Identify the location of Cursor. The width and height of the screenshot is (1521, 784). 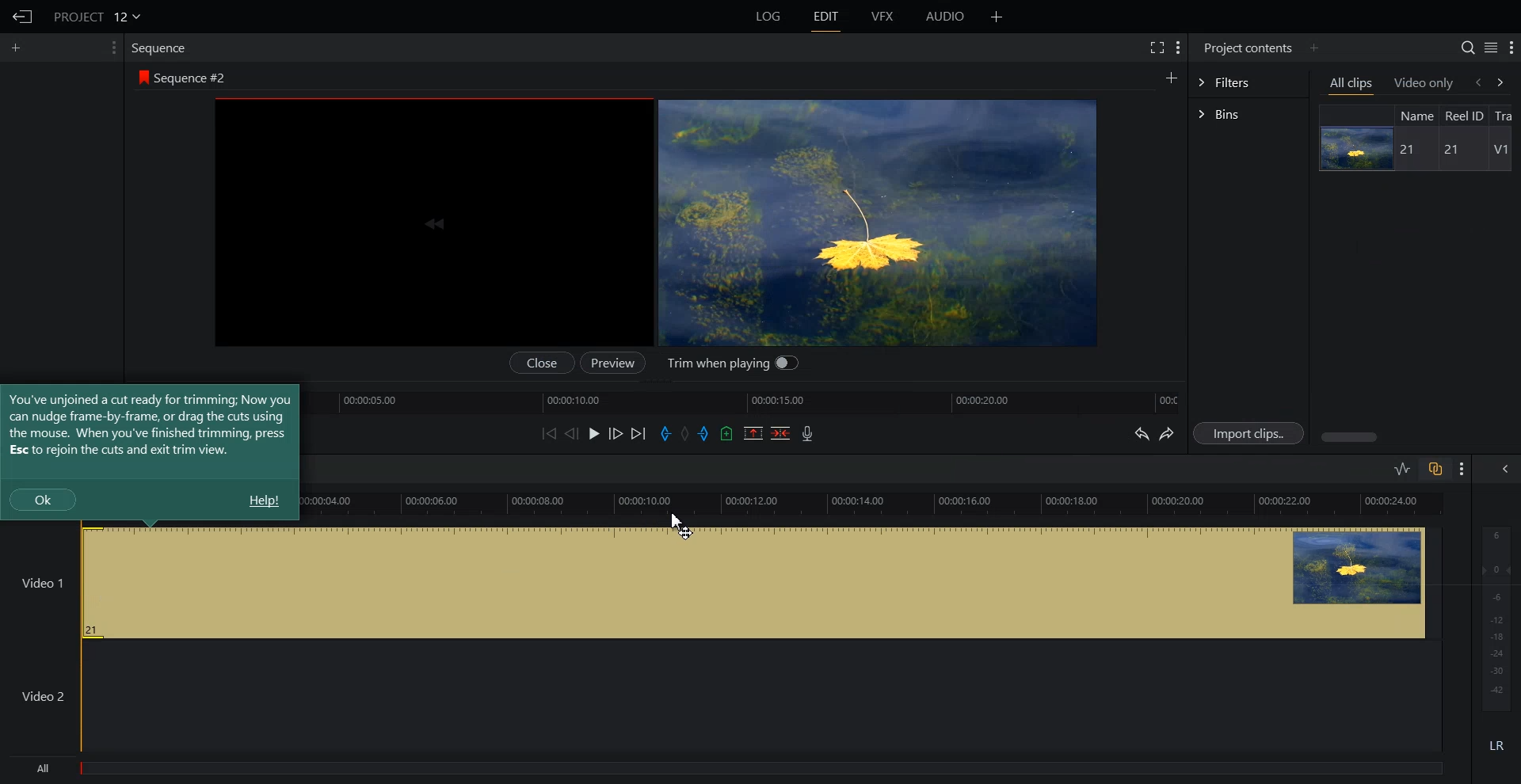
(680, 525).